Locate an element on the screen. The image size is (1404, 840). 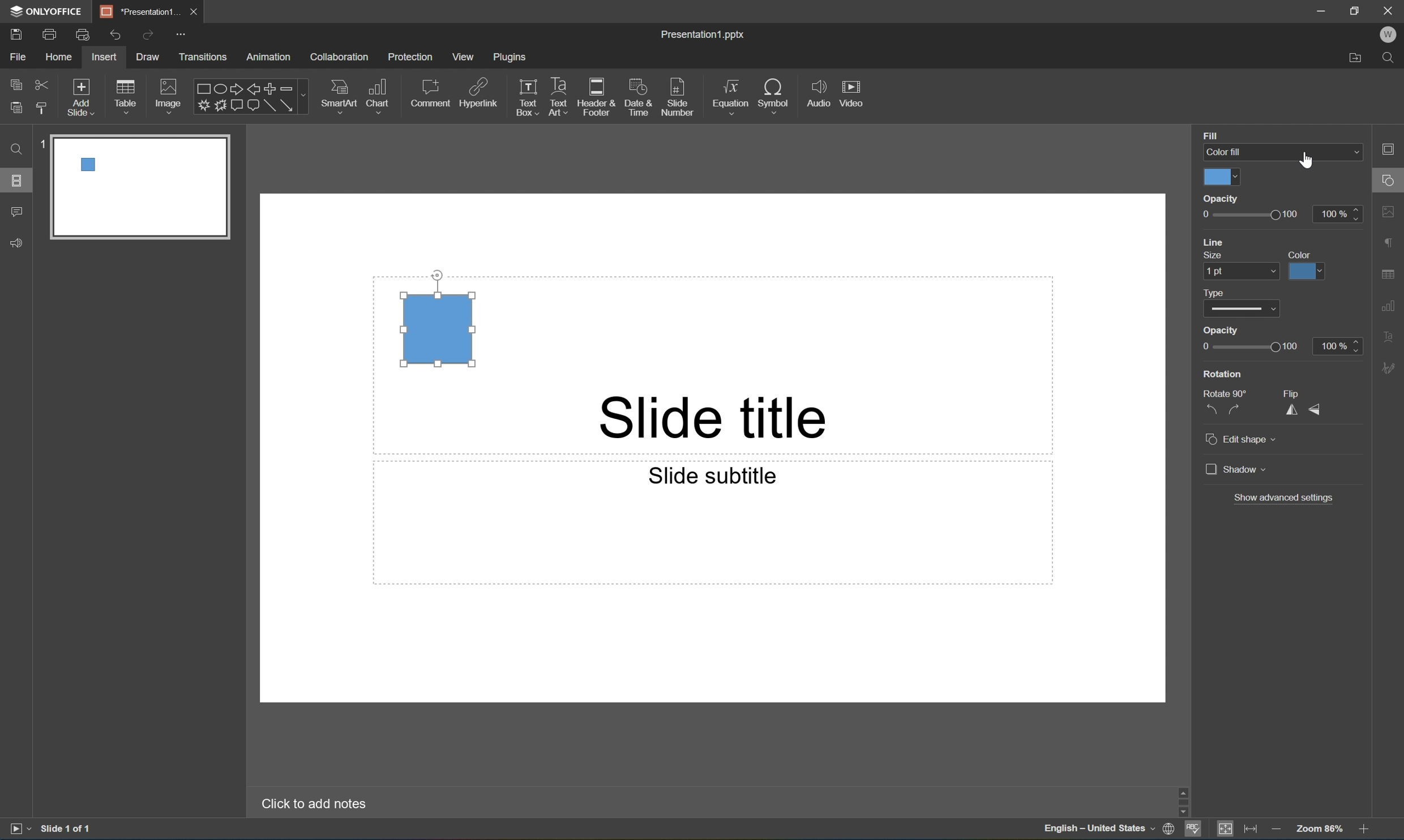
Draw is located at coordinates (149, 57).